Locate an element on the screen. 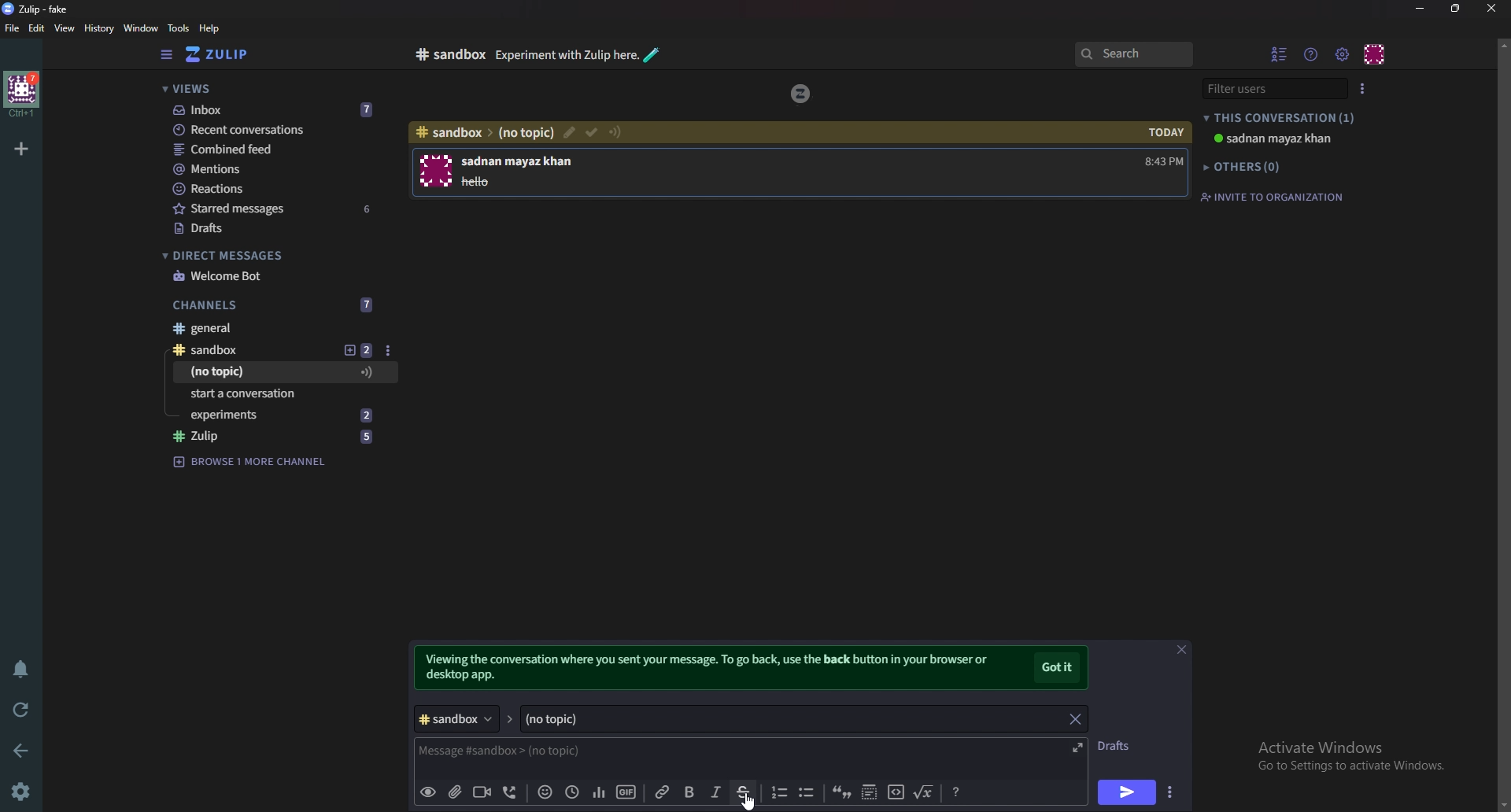 The height and width of the screenshot is (812, 1511). Tools is located at coordinates (179, 28).